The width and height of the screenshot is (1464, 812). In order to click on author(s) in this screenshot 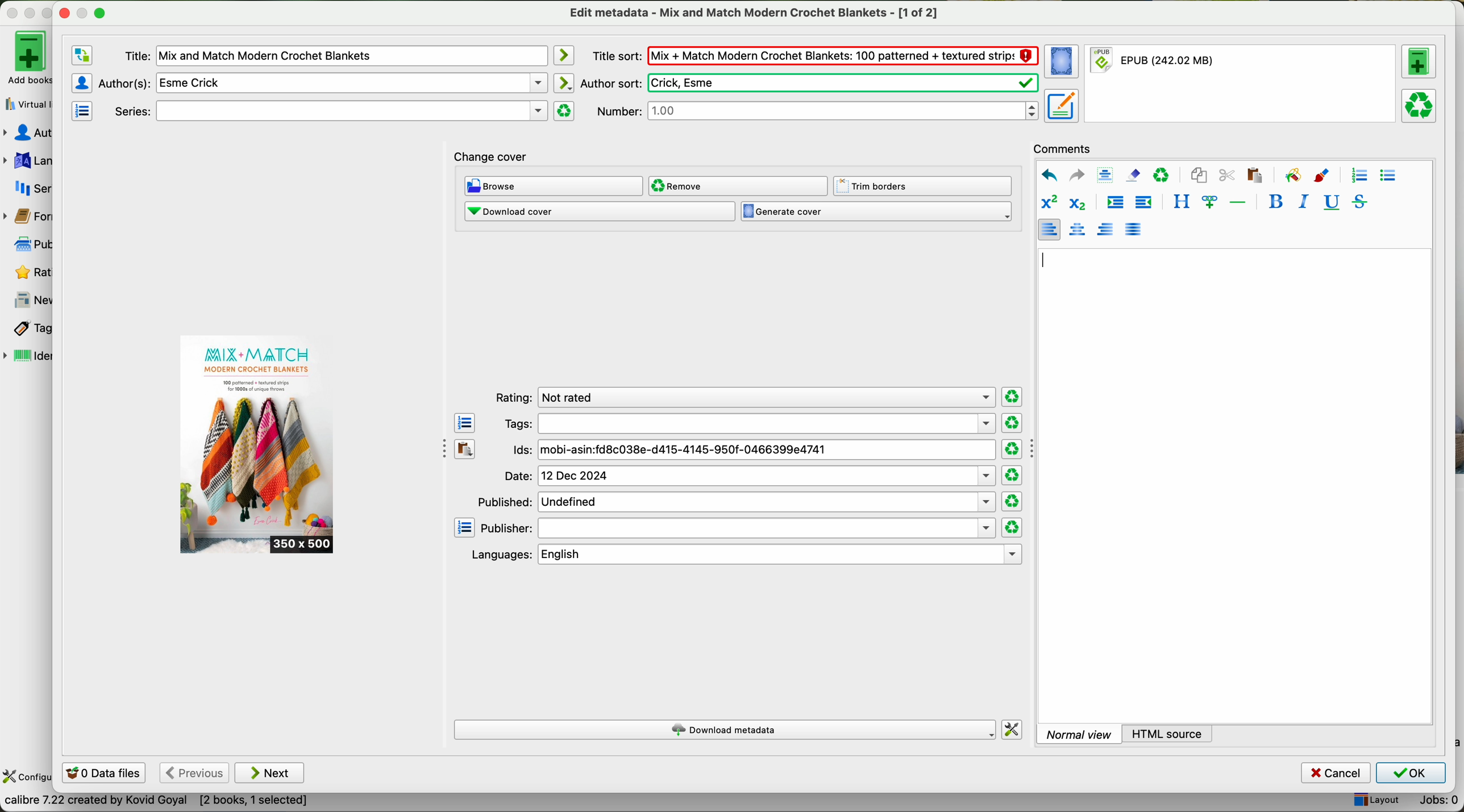, I will do `click(323, 82)`.